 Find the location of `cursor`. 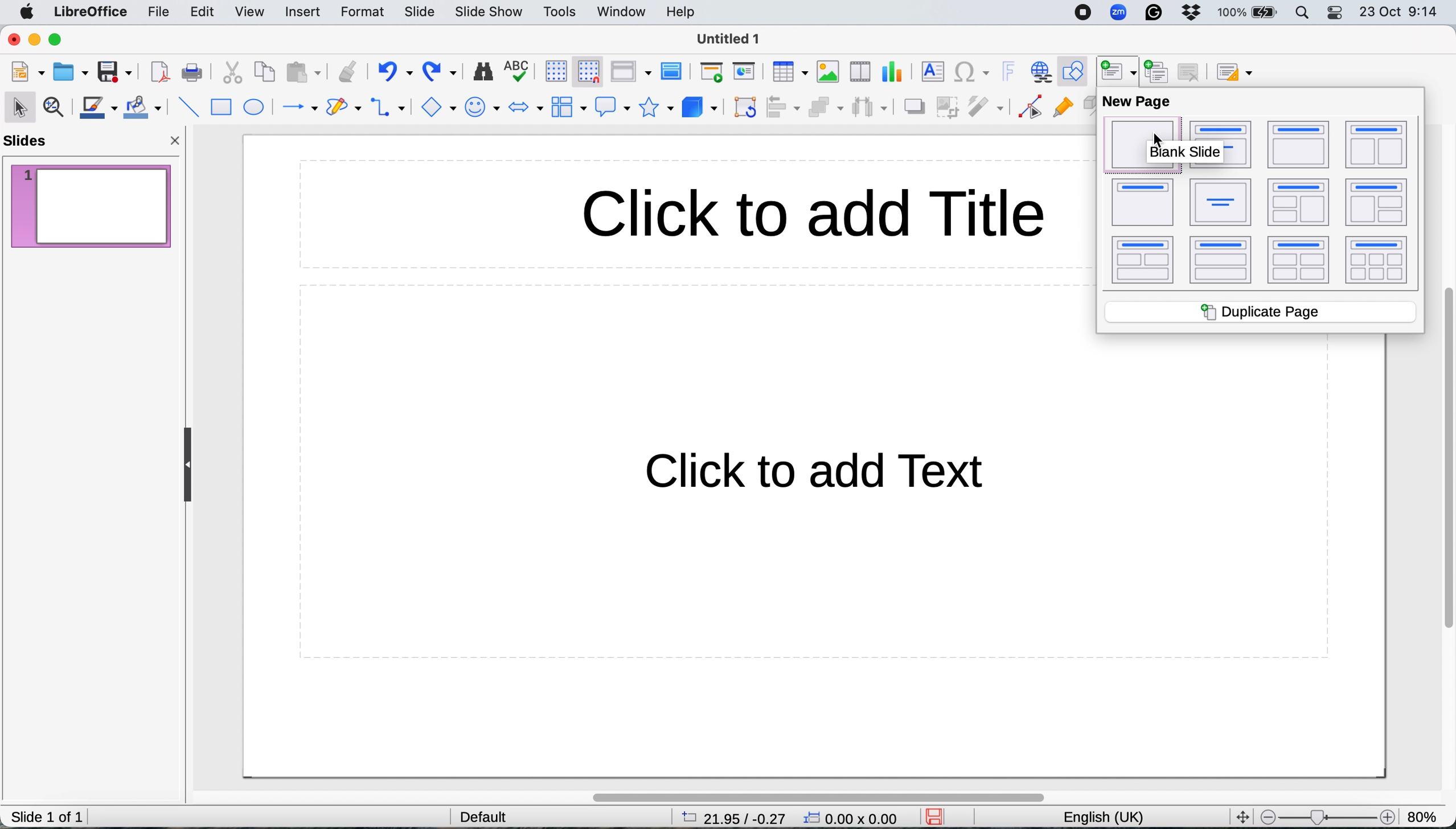

cursor is located at coordinates (1159, 141).